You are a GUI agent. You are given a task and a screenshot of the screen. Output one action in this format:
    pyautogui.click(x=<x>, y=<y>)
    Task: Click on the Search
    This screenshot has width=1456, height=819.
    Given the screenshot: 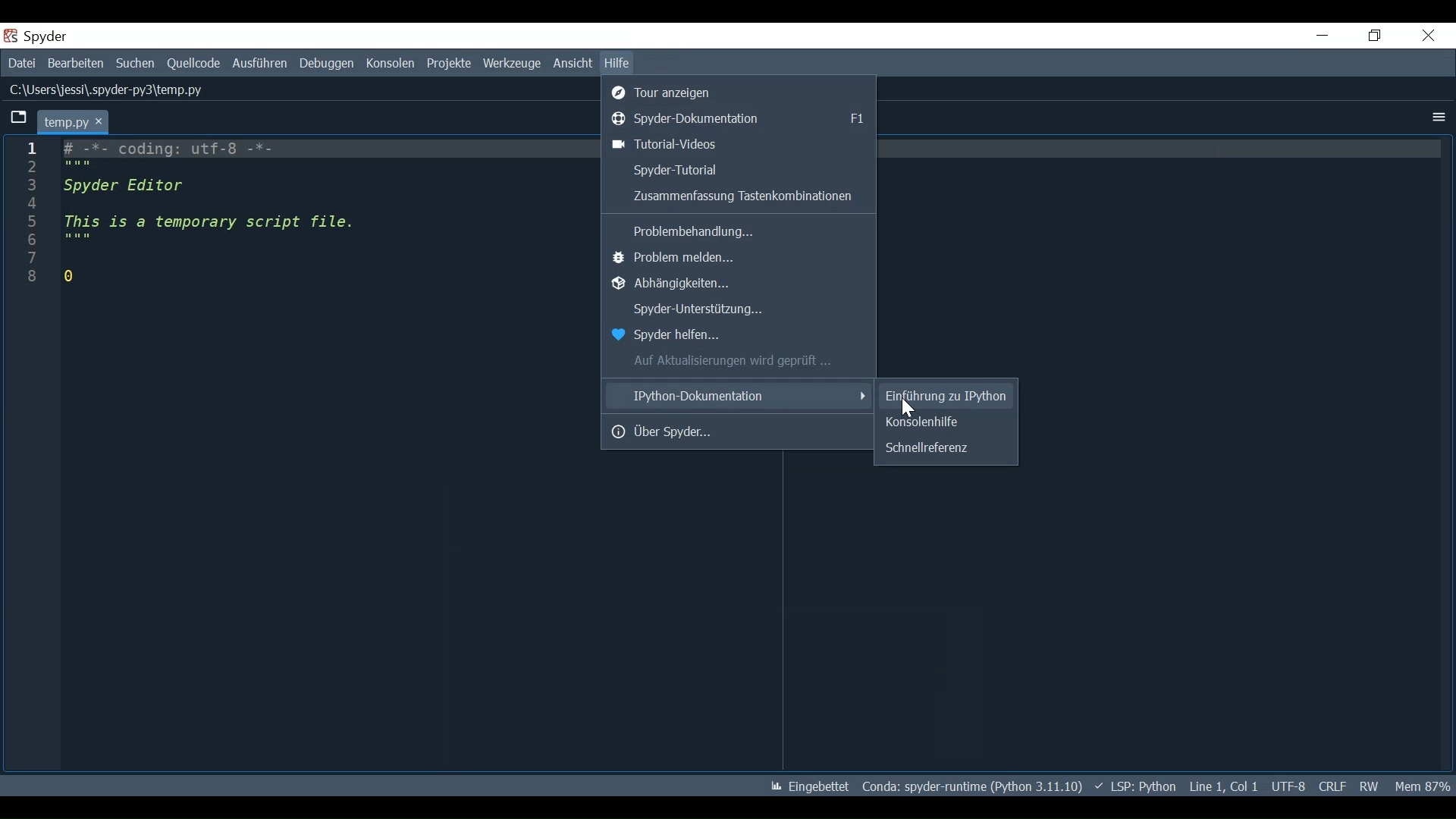 What is the action you would take?
    pyautogui.click(x=135, y=64)
    